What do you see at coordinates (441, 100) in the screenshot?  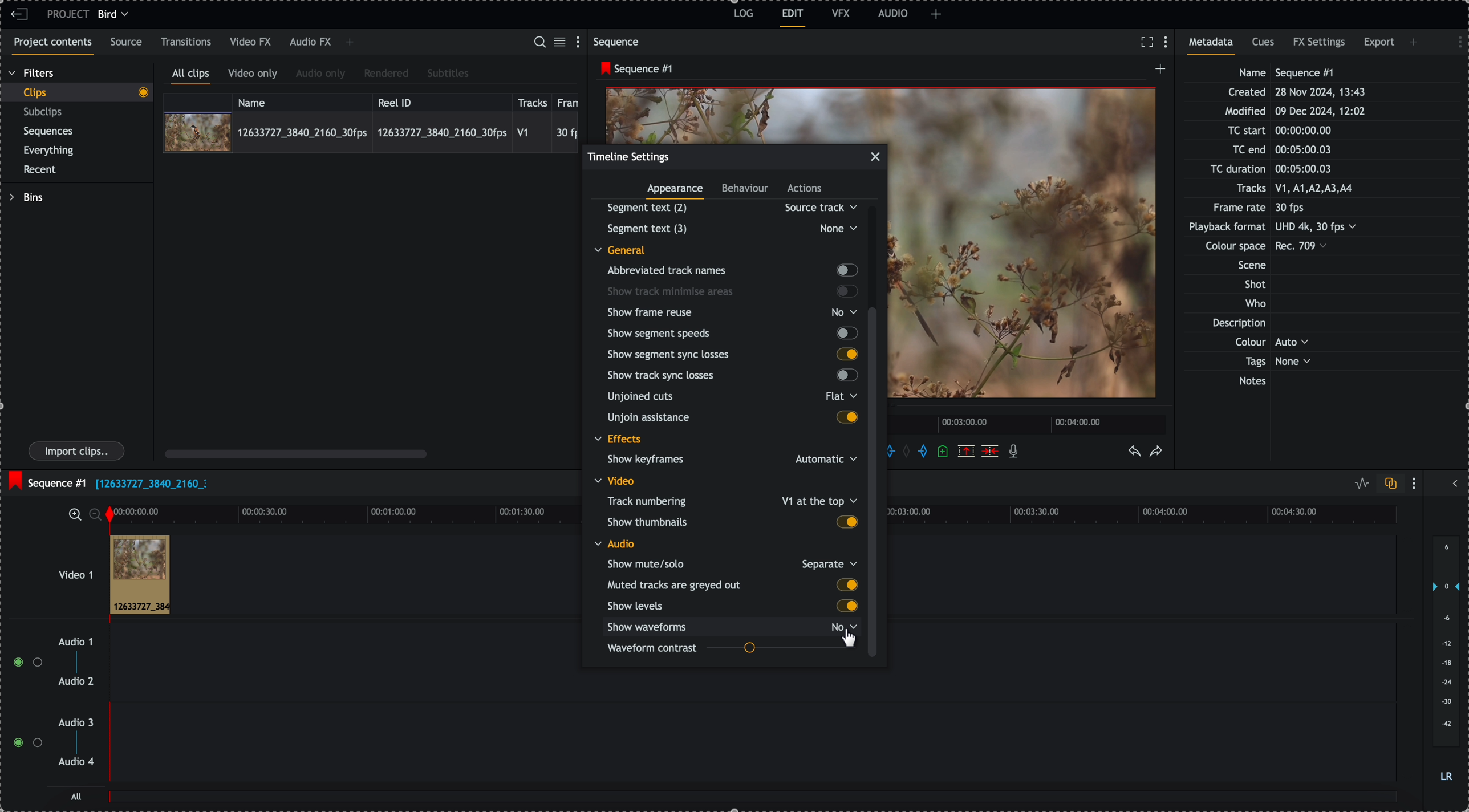 I see `reel ID` at bounding box center [441, 100].